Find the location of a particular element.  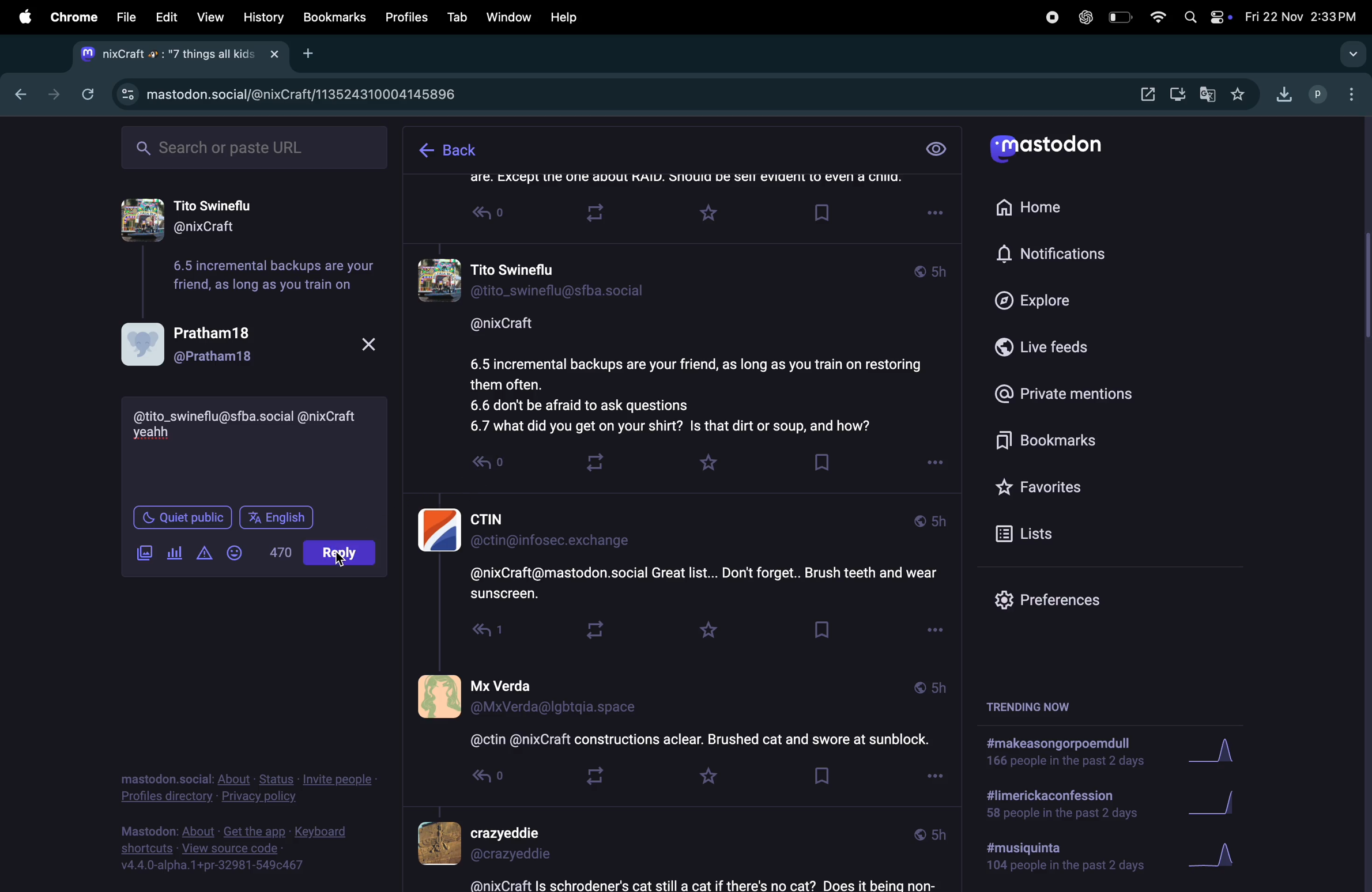

graph is located at coordinates (1215, 752).